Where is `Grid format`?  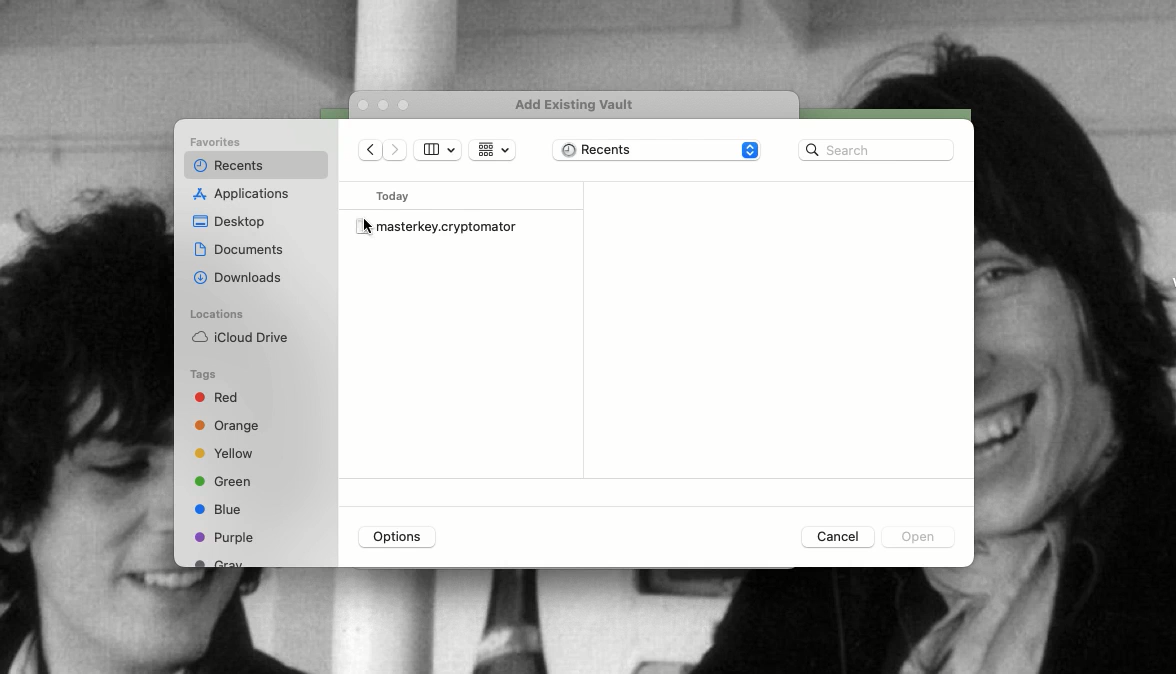
Grid format is located at coordinates (492, 150).